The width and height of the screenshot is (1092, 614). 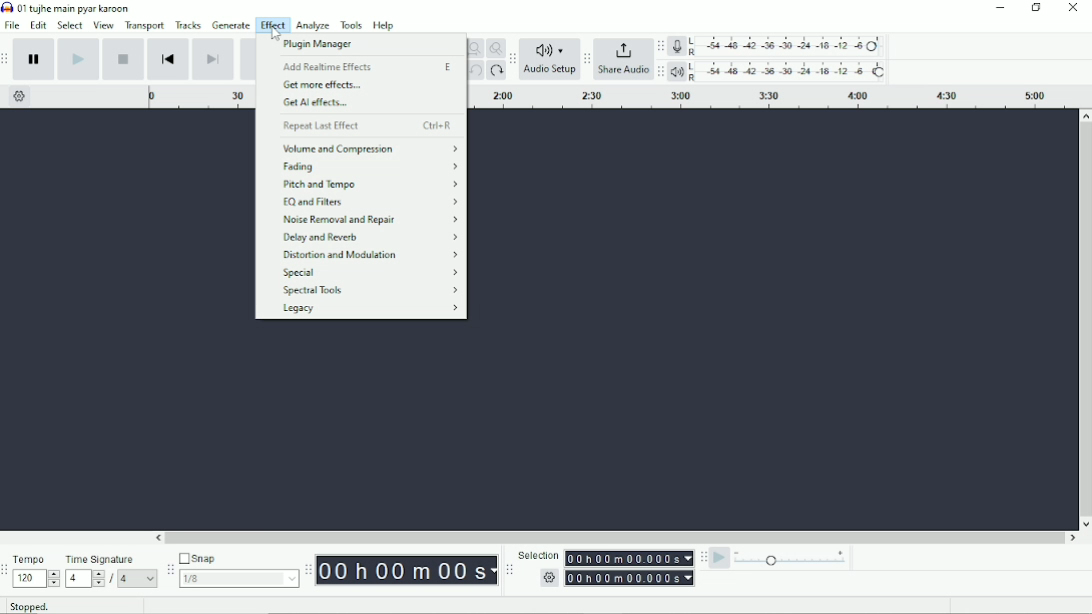 What do you see at coordinates (200, 97) in the screenshot?
I see `Timeline` at bounding box center [200, 97].